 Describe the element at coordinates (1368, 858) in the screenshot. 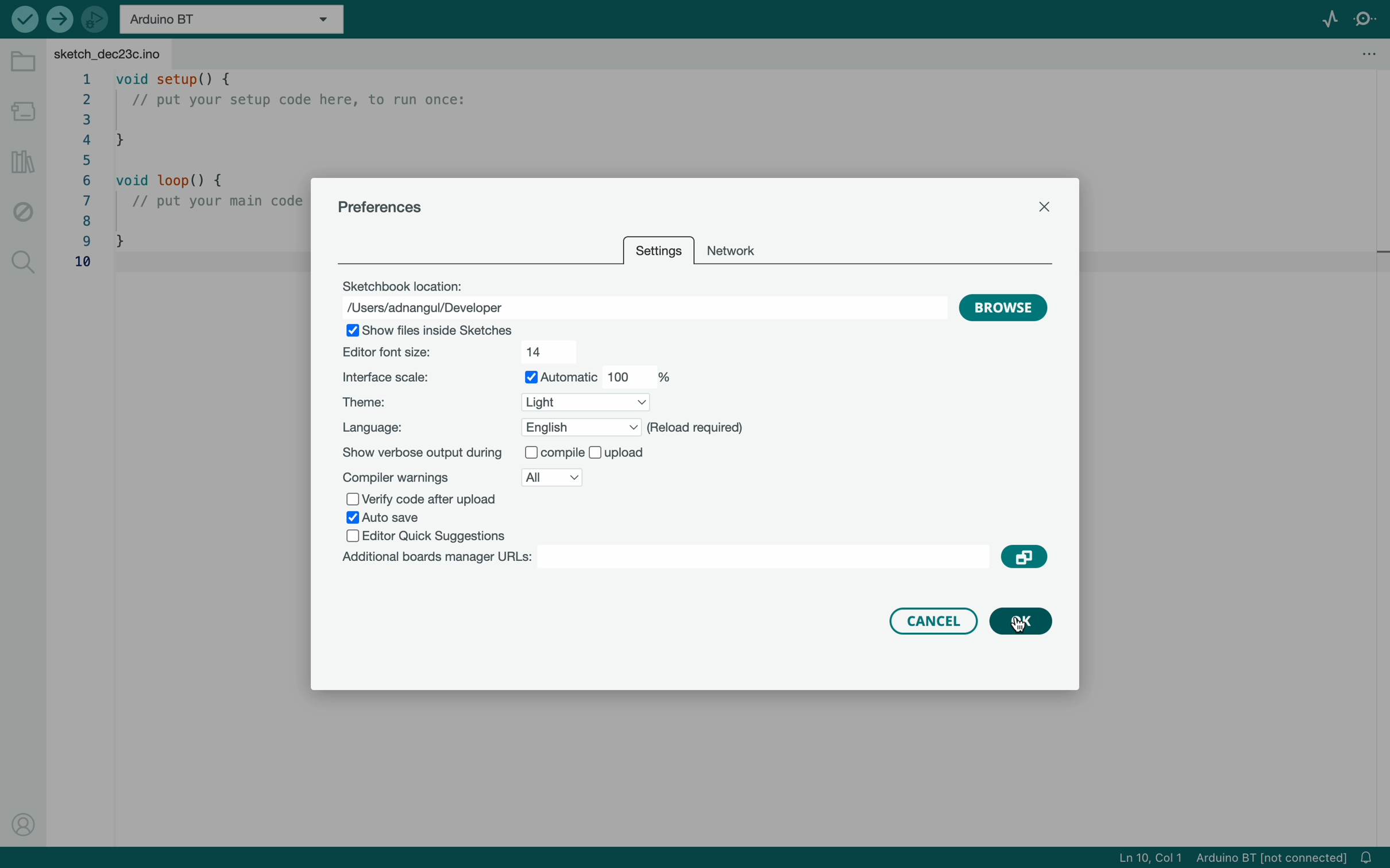

I see `notification` at that location.